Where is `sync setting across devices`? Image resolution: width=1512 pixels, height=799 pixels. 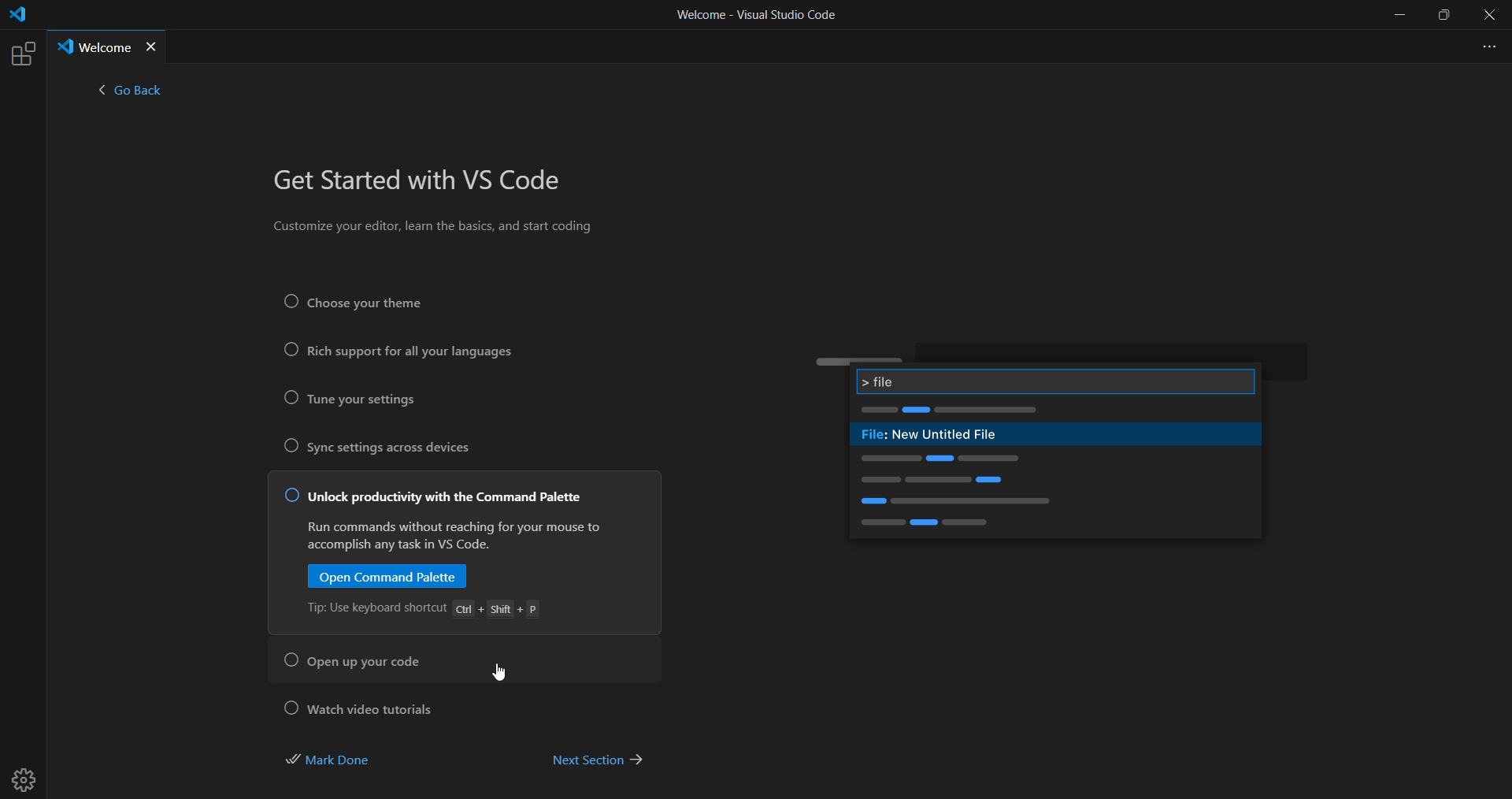 sync setting across devices is located at coordinates (391, 449).